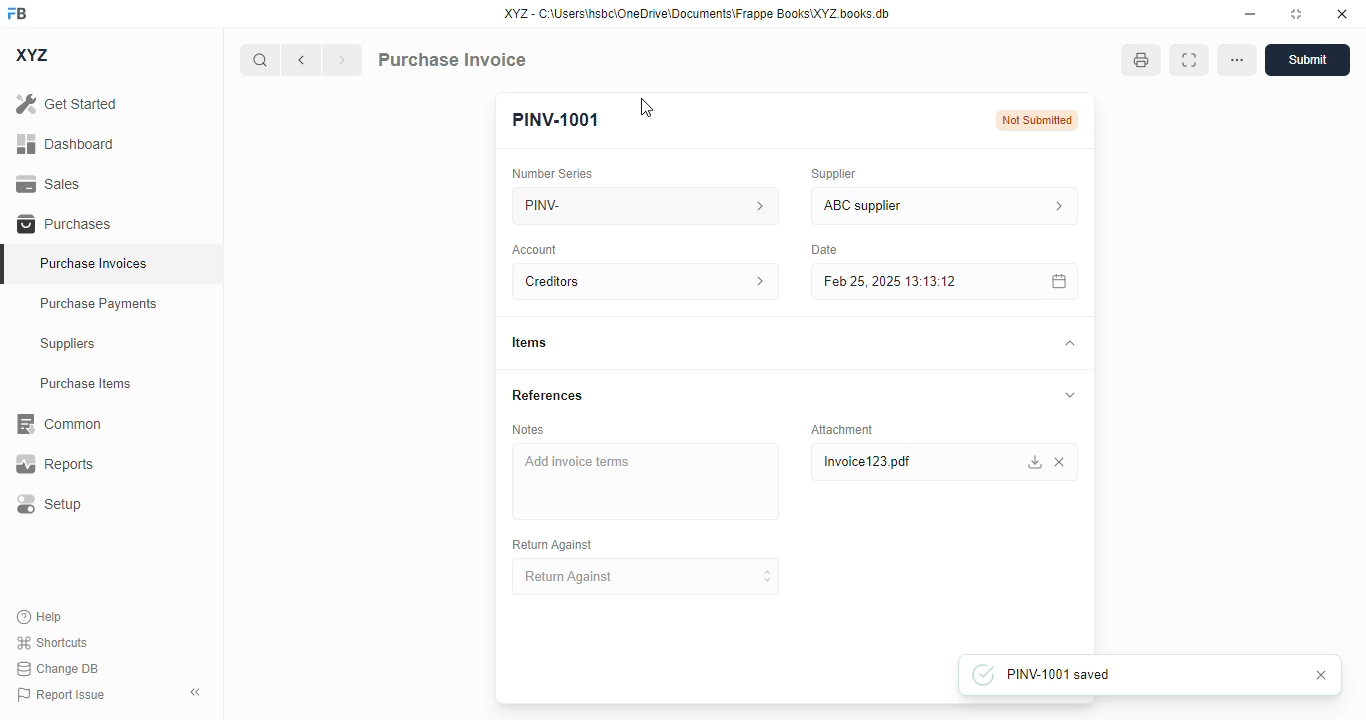  I want to click on suppliers, so click(69, 344).